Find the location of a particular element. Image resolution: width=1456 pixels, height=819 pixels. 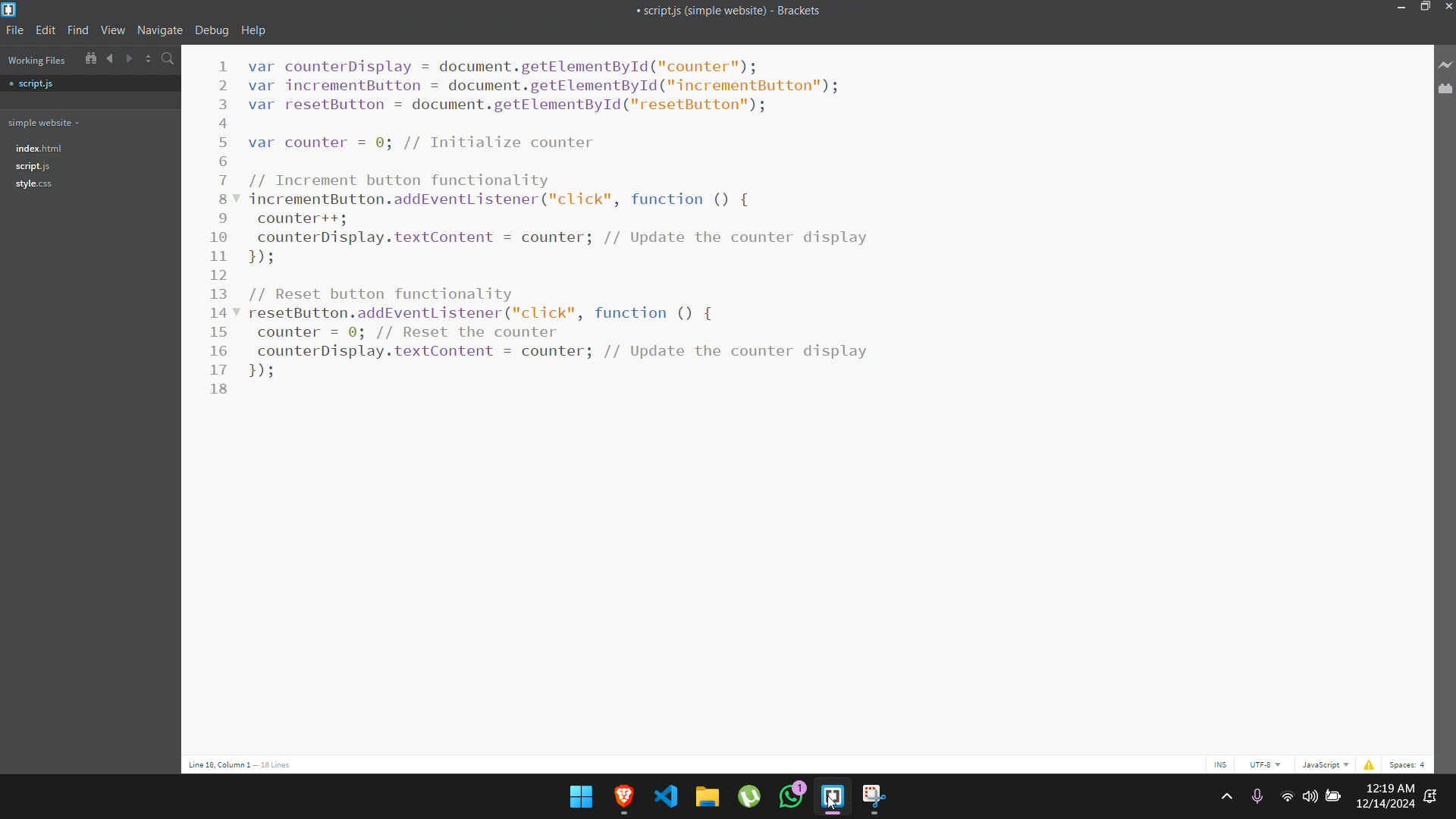

notifications is located at coordinates (1430, 796).